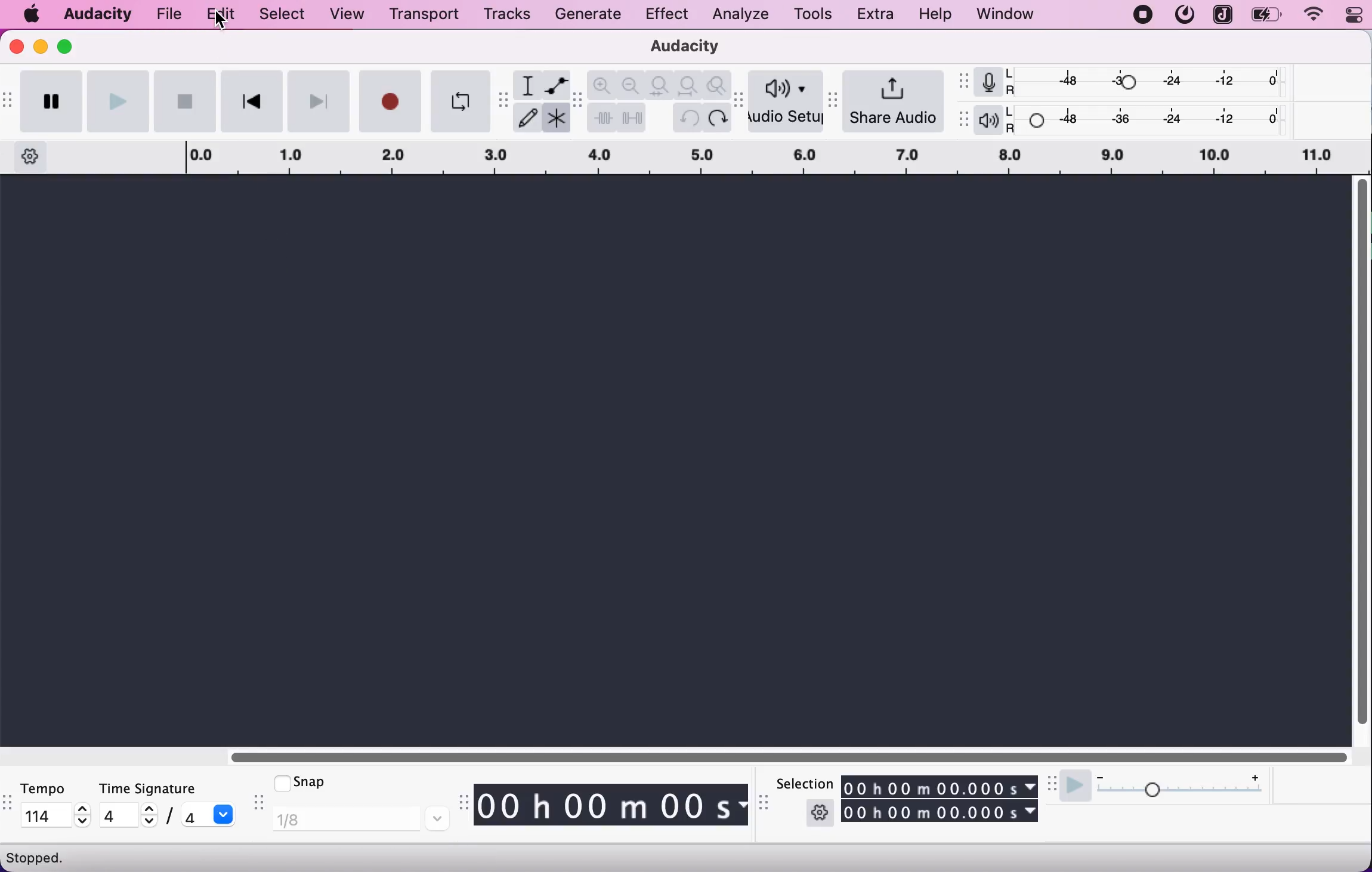 This screenshot has height=872, width=1372. What do you see at coordinates (1312, 15) in the screenshot?
I see `wifi` at bounding box center [1312, 15].